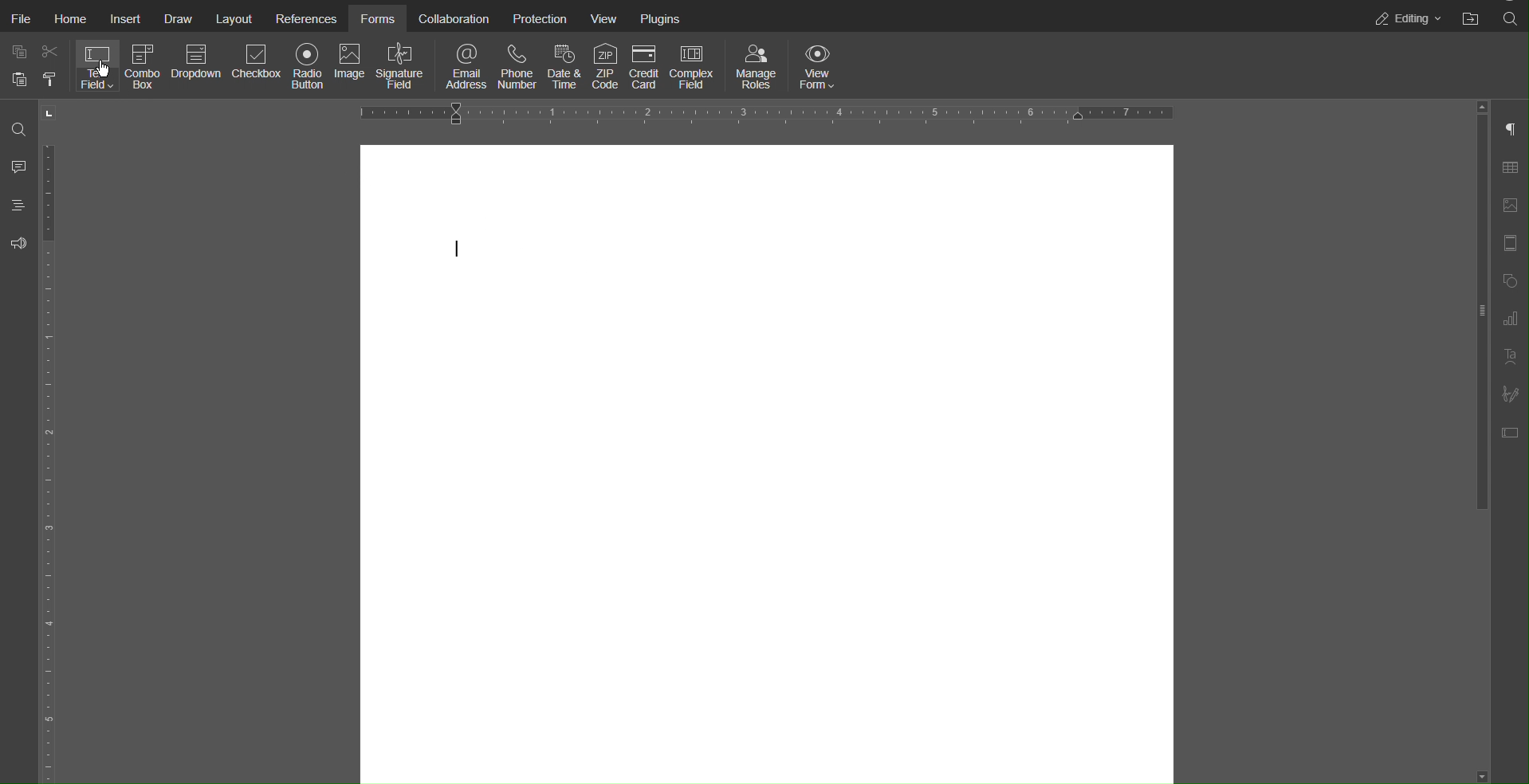 The width and height of the screenshot is (1529, 784). Describe the element at coordinates (1509, 243) in the screenshot. I see `Header and Footer` at that location.